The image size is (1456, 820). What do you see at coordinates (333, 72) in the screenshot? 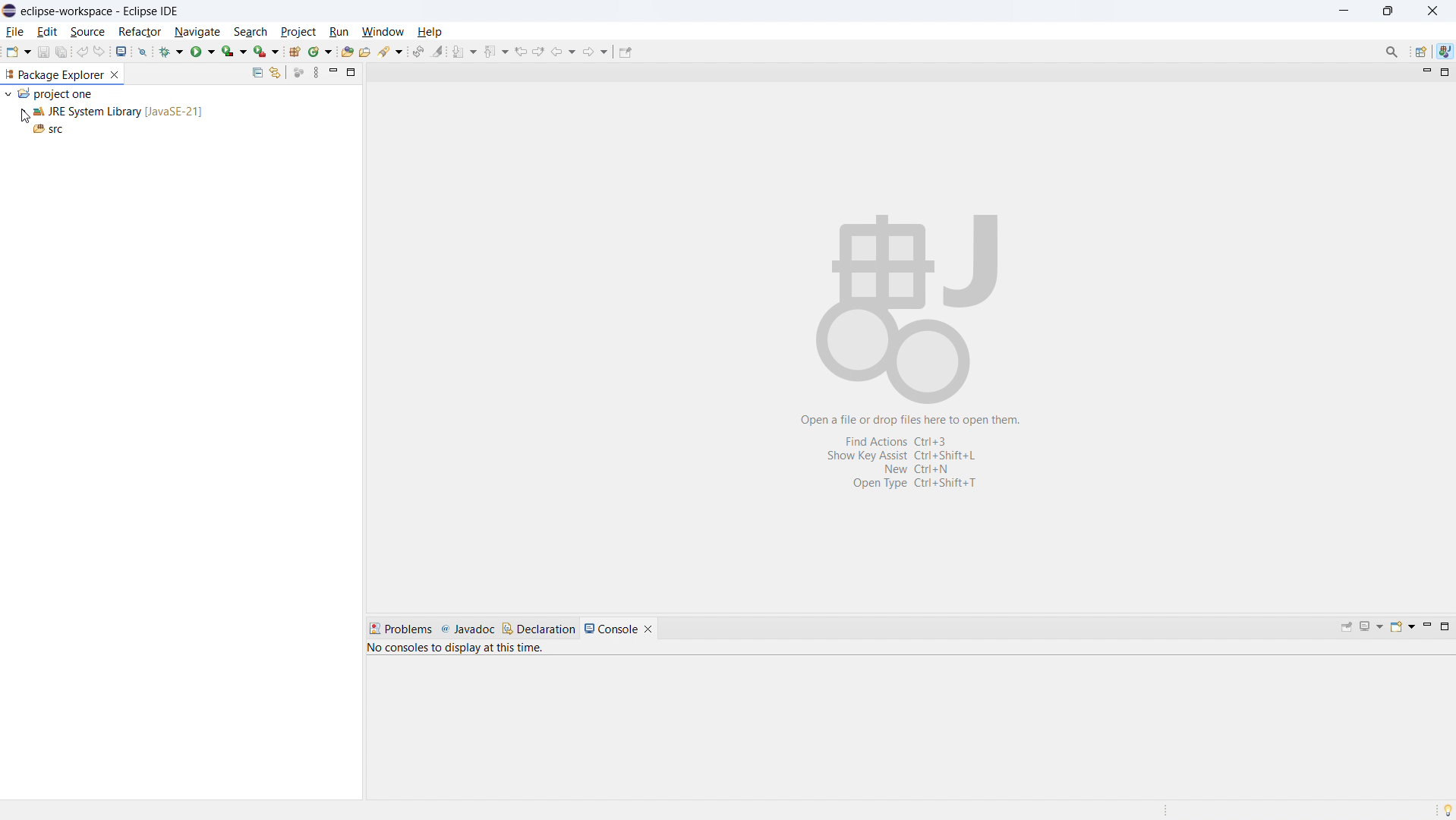
I see `minimize` at bounding box center [333, 72].